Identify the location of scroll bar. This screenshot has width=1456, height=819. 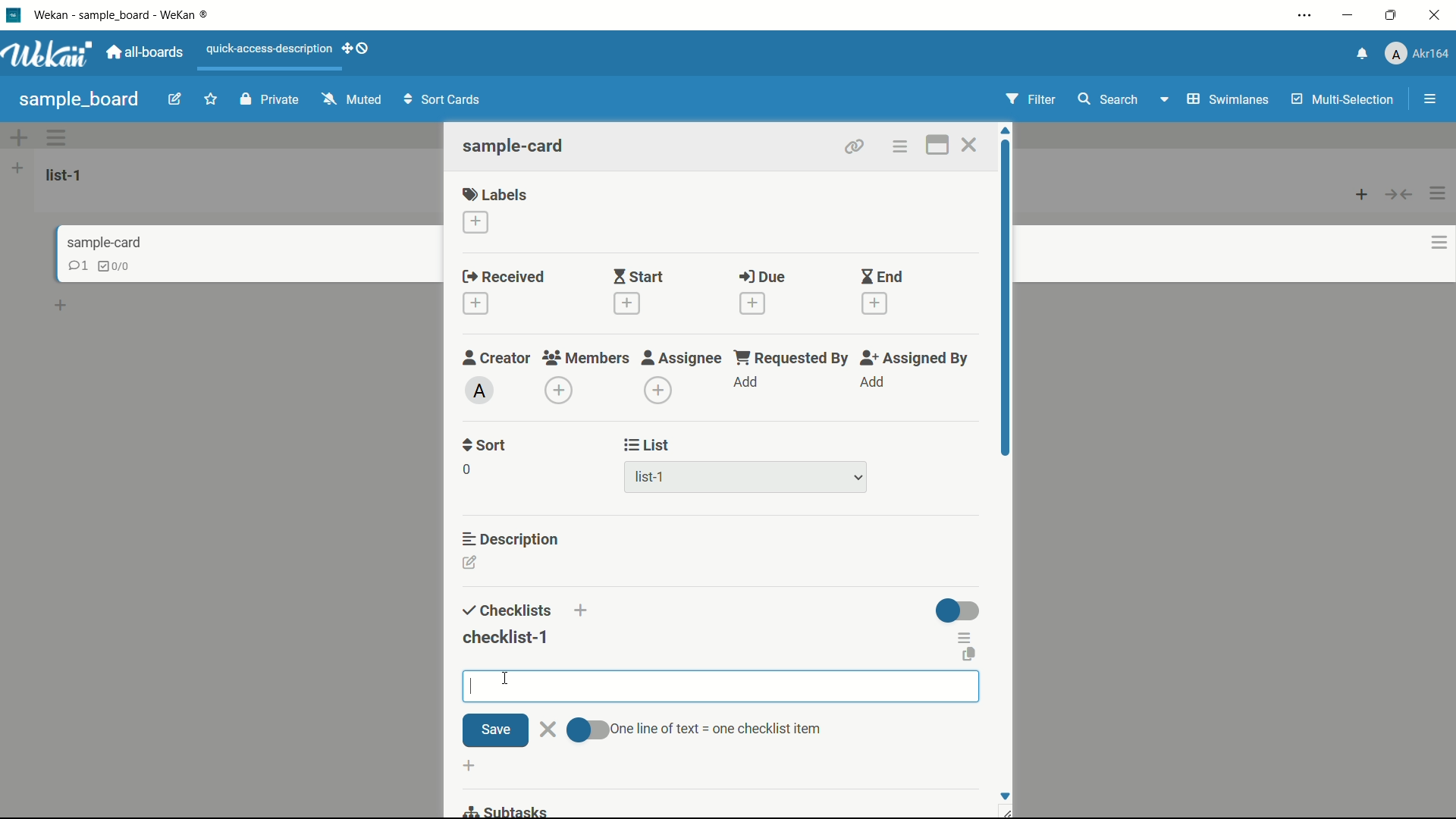
(1007, 316).